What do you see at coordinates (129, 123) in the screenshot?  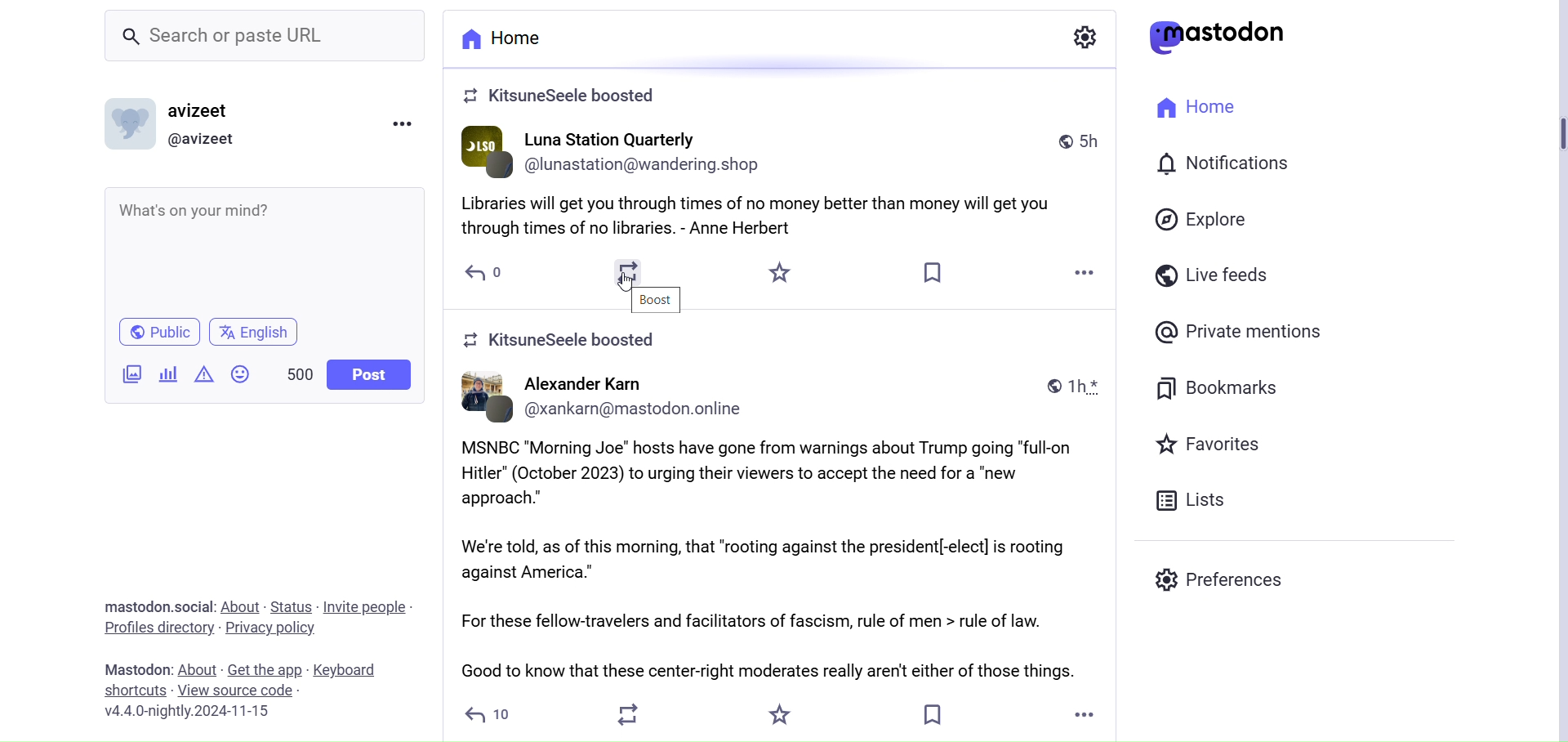 I see `Profile` at bounding box center [129, 123].